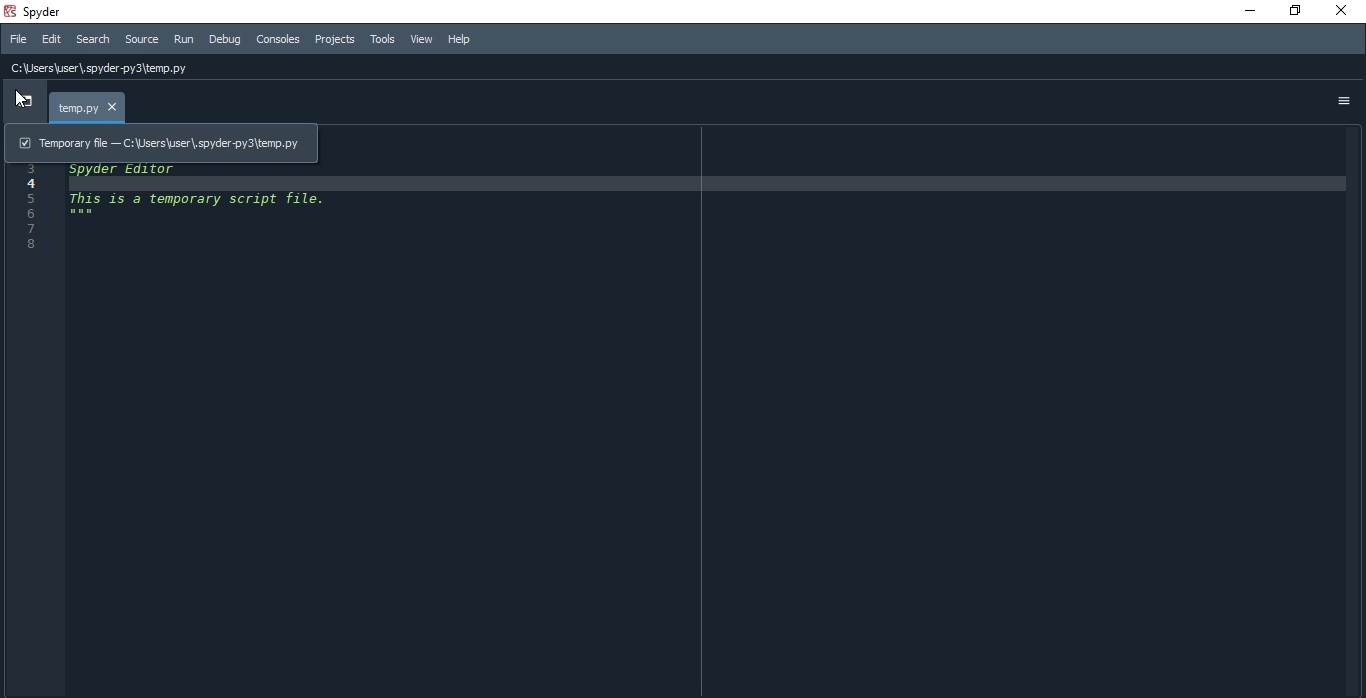 This screenshot has height=698, width=1366. I want to click on options, so click(1340, 102).